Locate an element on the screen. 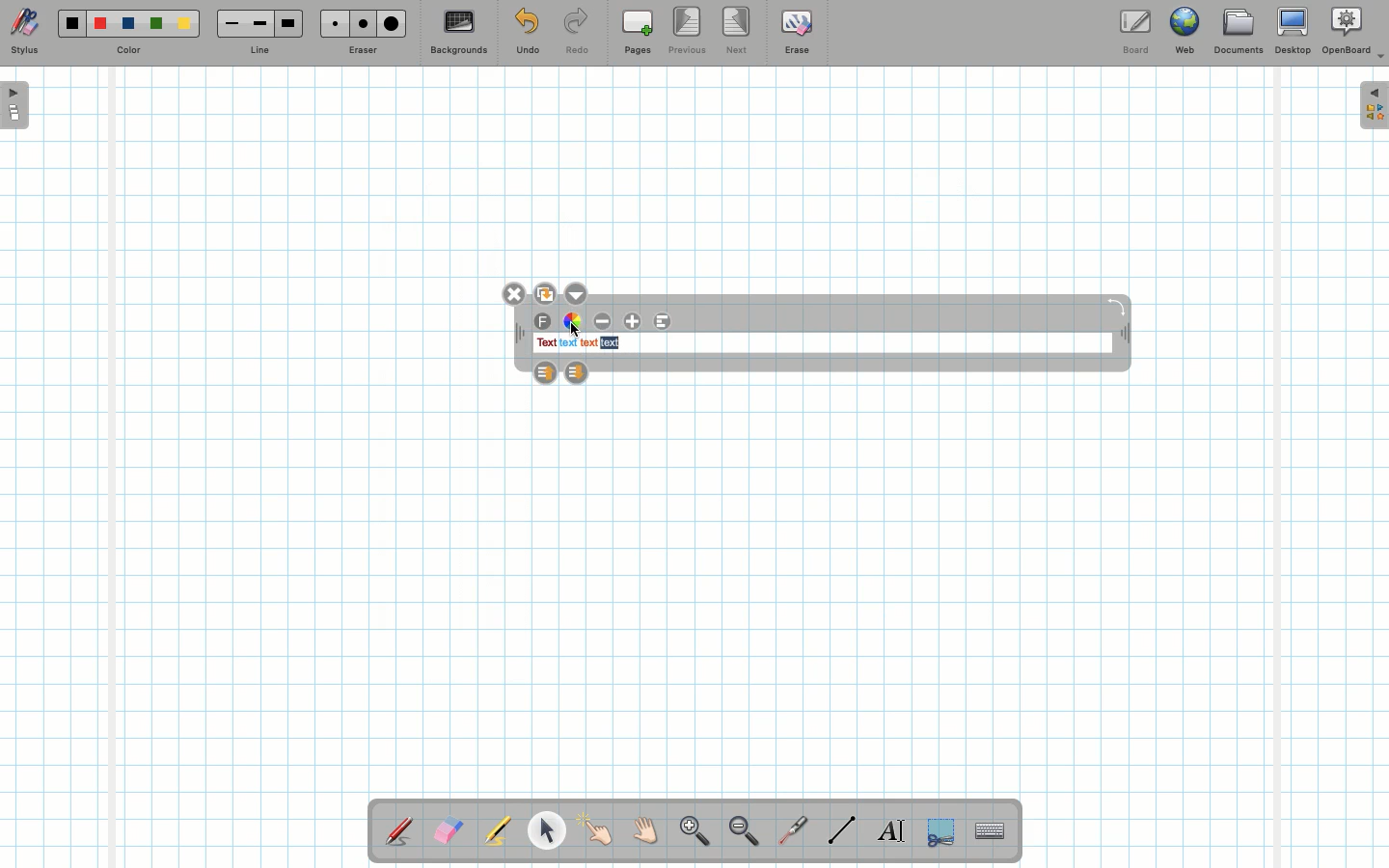 The width and height of the screenshot is (1389, 868). Move is located at coordinates (1123, 336).